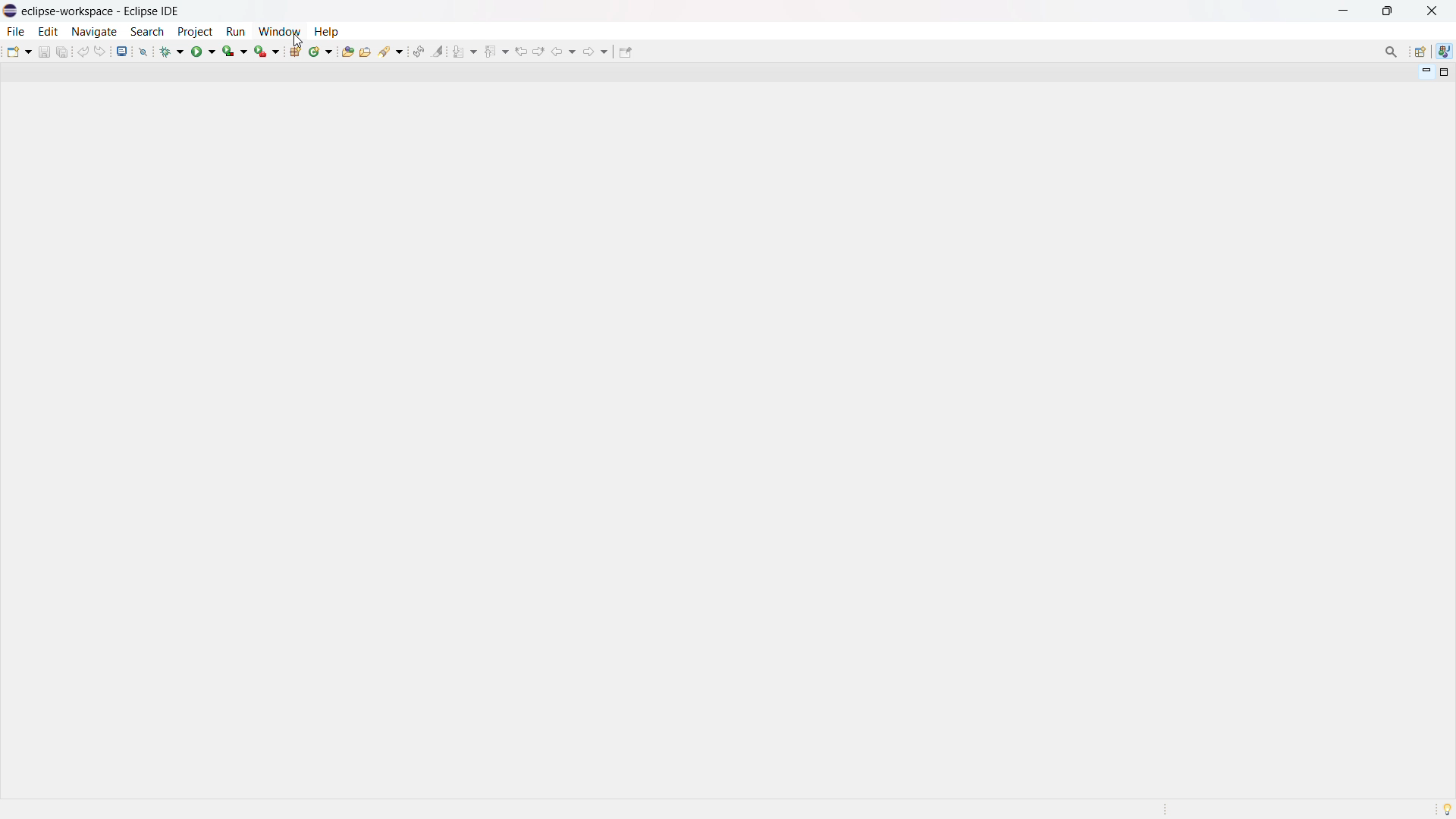  What do you see at coordinates (172, 51) in the screenshot?
I see `debug` at bounding box center [172, 51].